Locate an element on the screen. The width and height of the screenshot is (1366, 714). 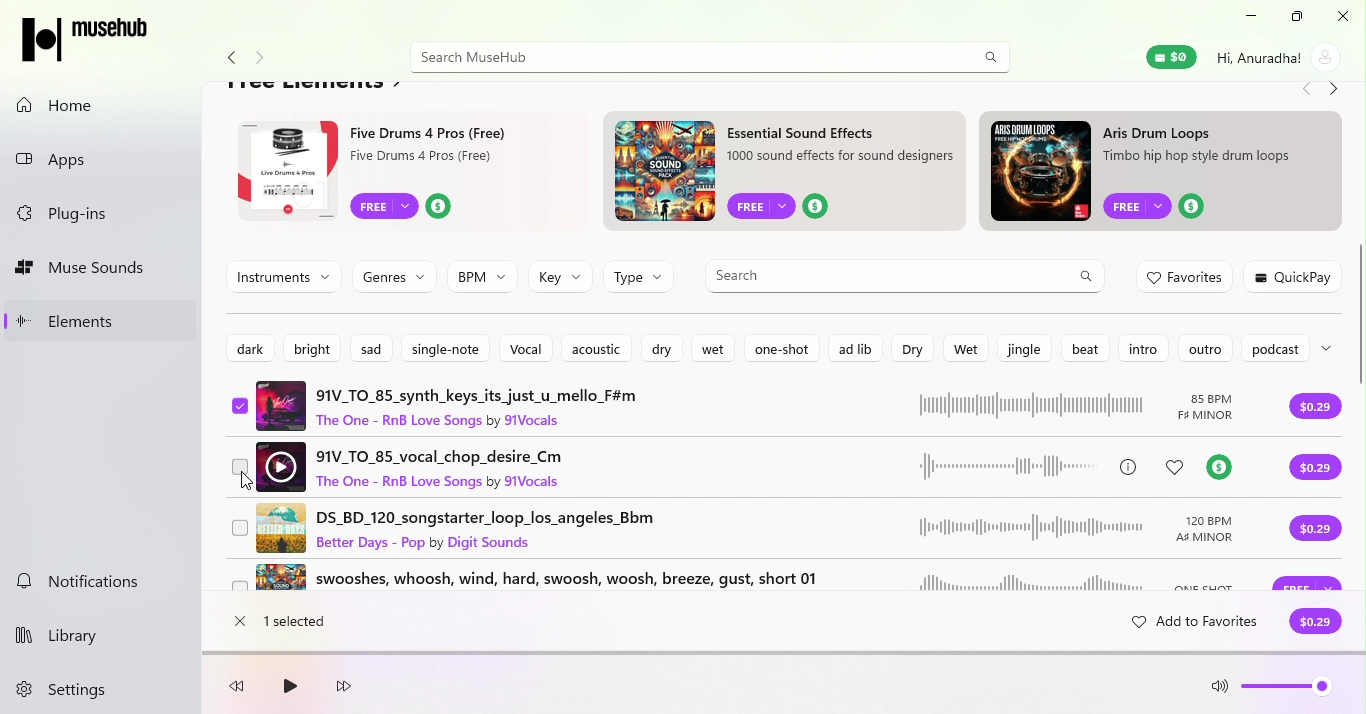
Elements is located at coordinates (102, 320).